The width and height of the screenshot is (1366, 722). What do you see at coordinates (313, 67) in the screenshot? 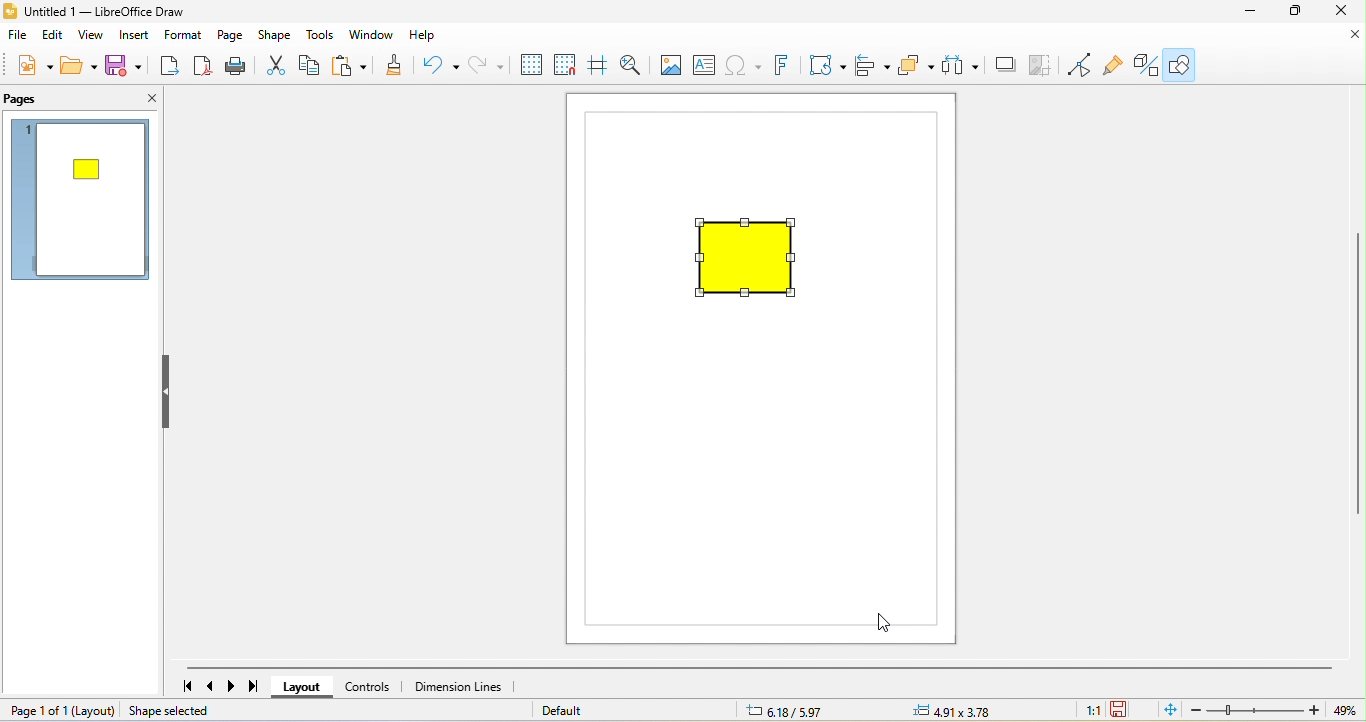
I see `copy` at bounding box center [313, 67].